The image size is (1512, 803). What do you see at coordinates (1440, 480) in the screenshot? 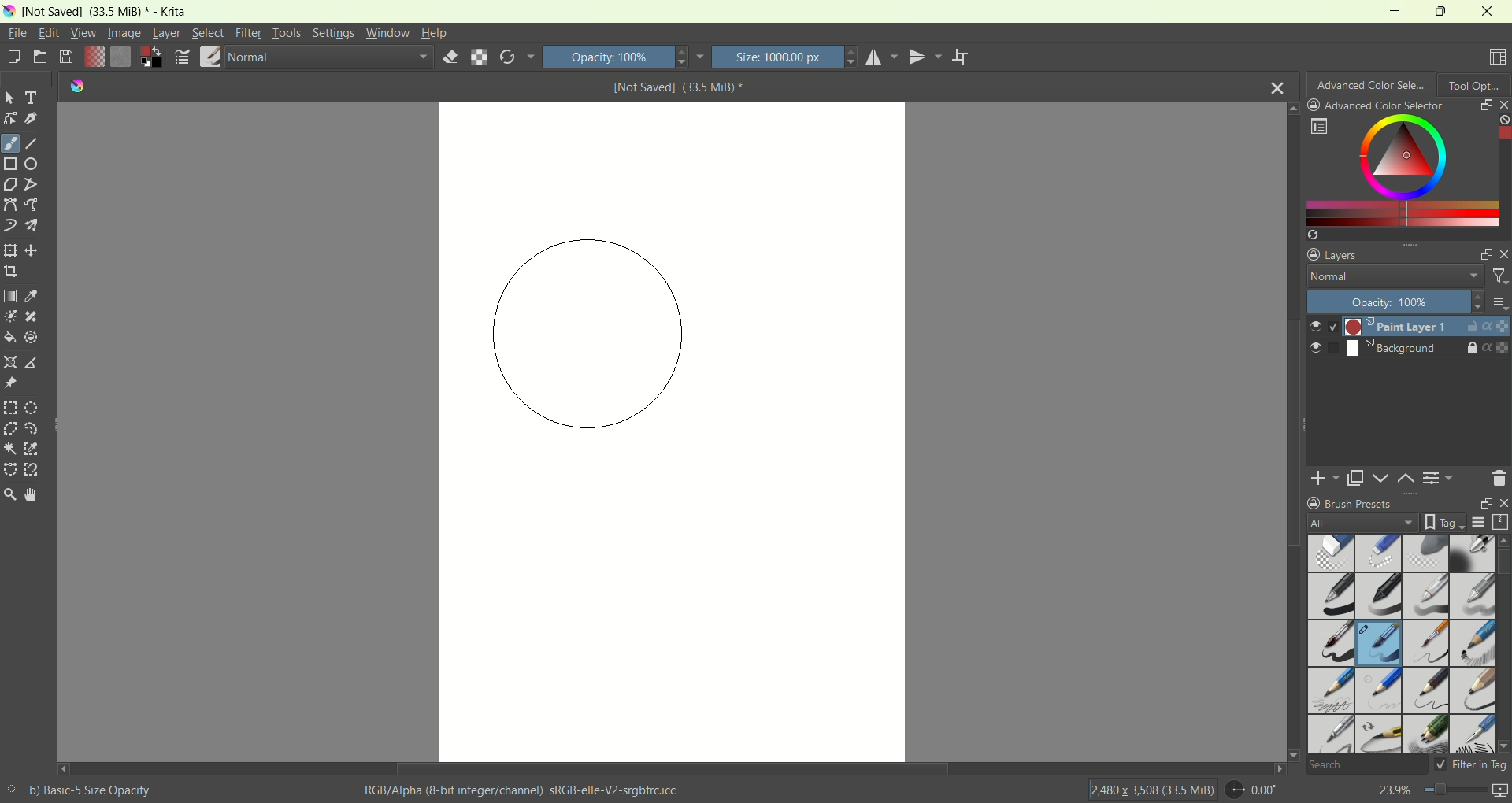
I see `delete or change layer properties` at bounding box center [1440, 480].